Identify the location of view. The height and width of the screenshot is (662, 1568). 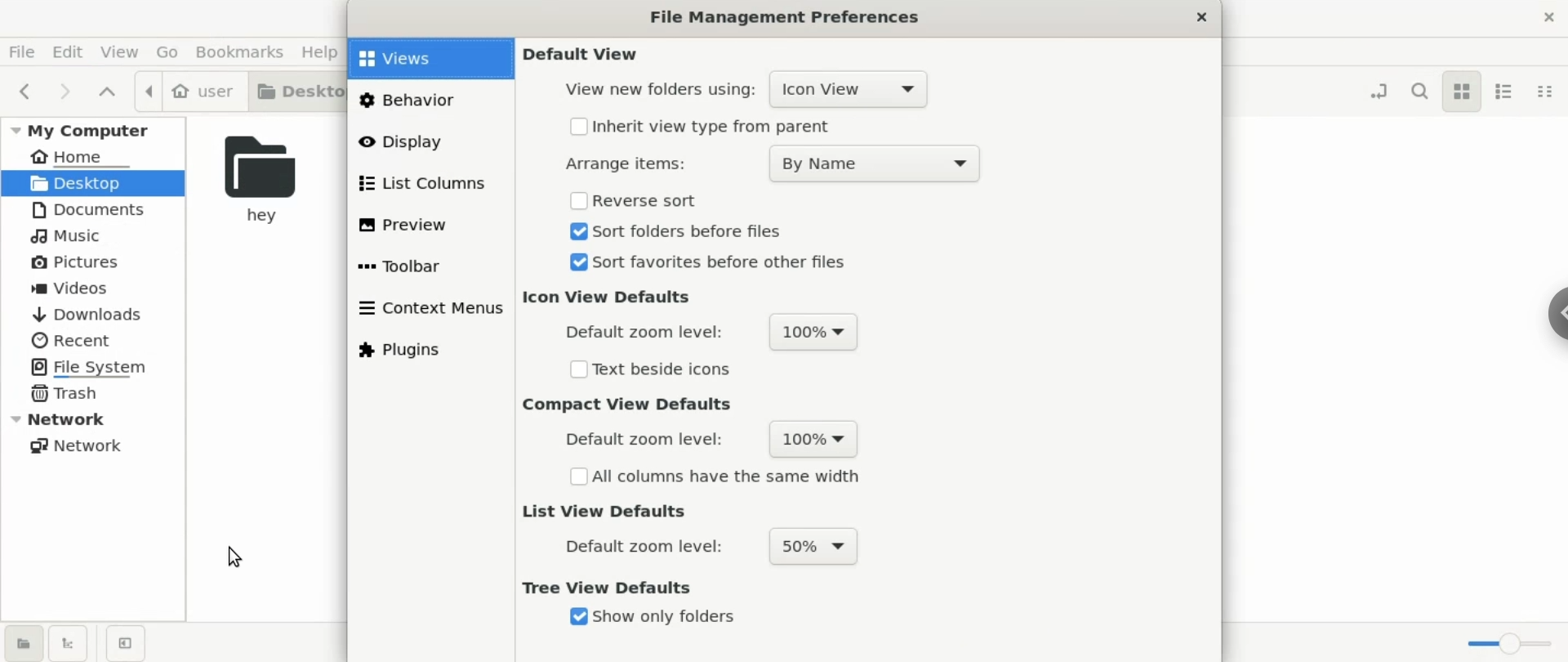
(122, 52).